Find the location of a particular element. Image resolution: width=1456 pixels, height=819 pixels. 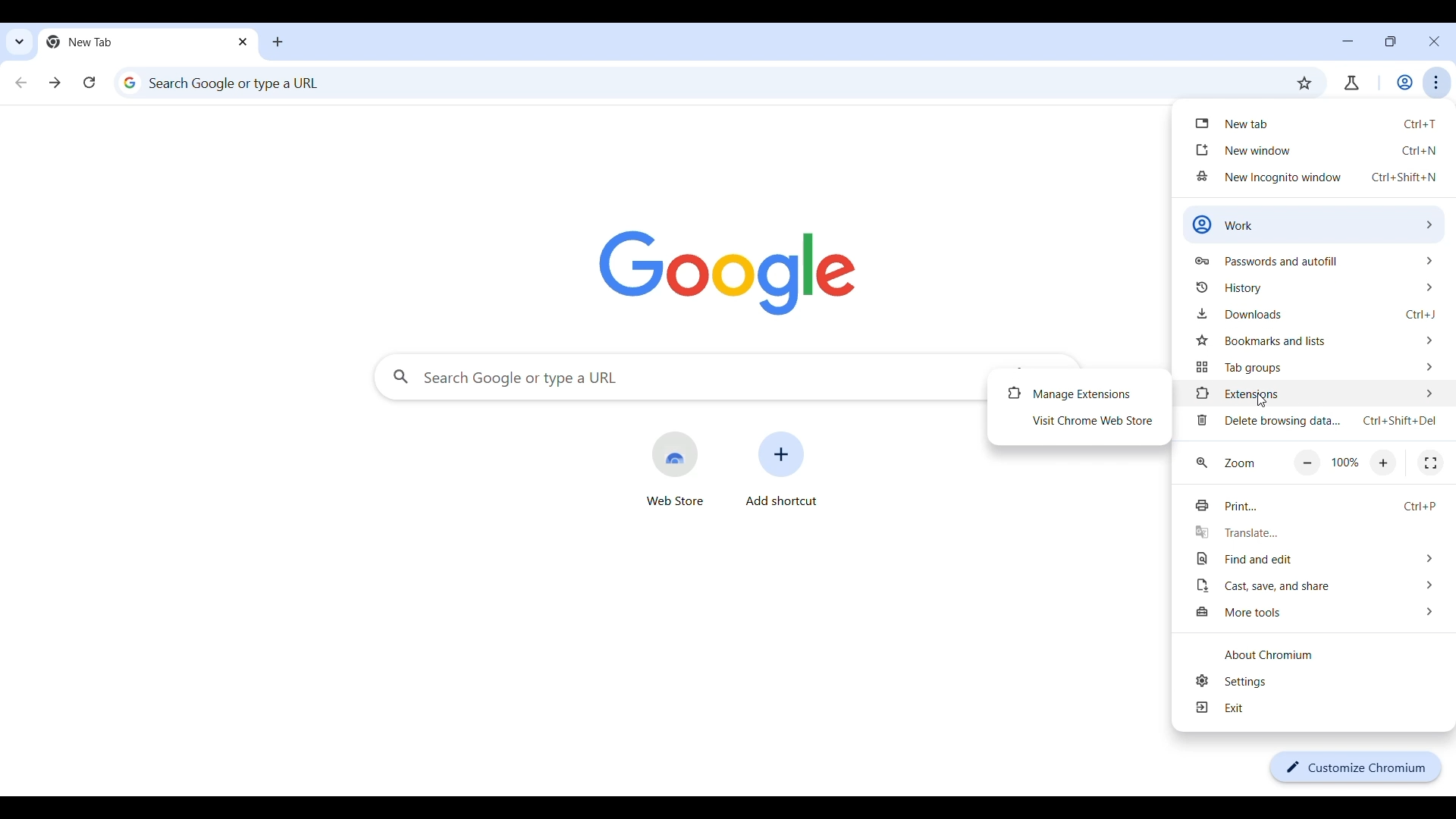

Minimize is located at coordinates (1348, 41).